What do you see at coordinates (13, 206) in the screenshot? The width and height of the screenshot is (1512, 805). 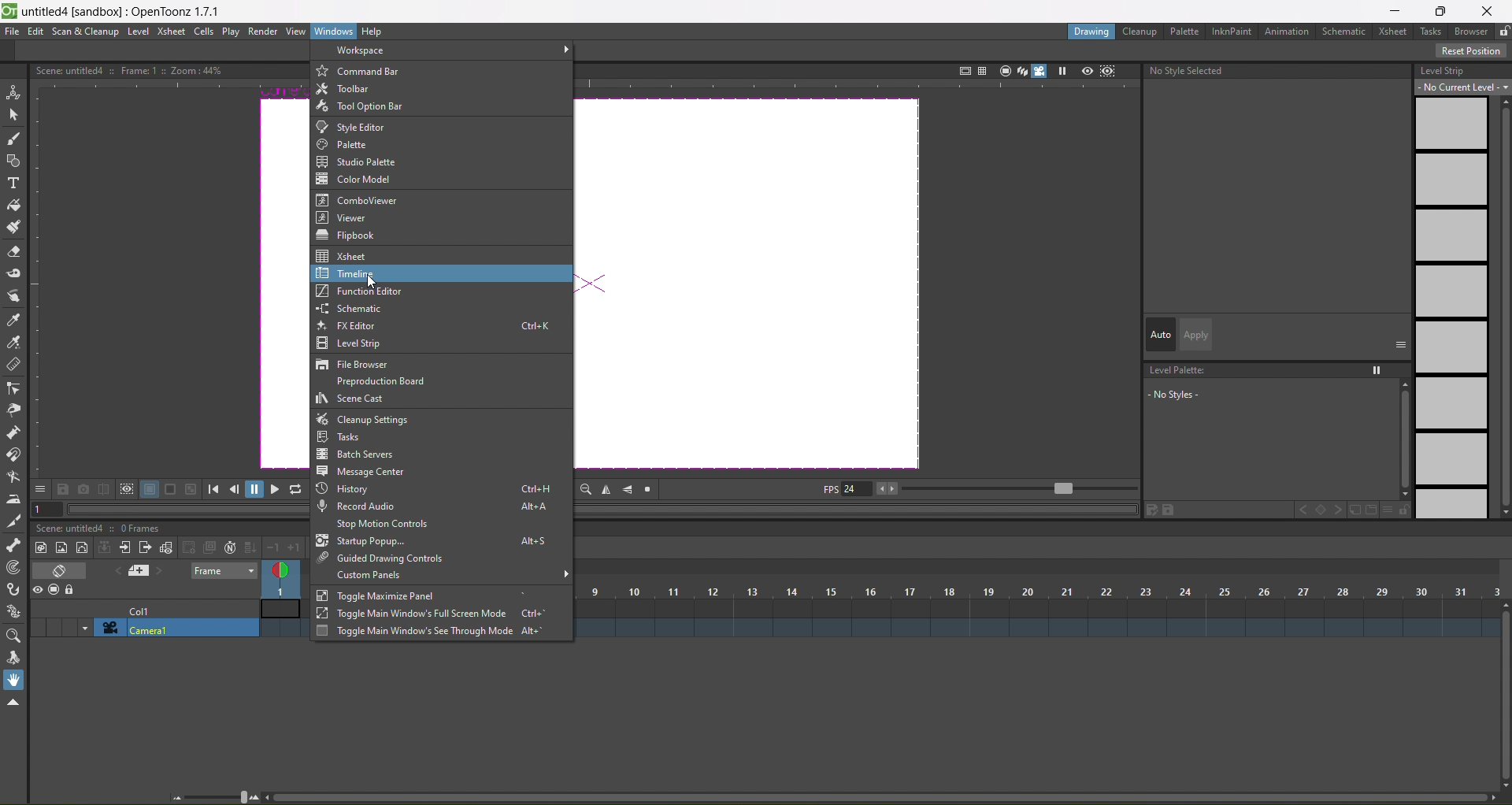 I see `fill tool` at bounding box center [13, 206].